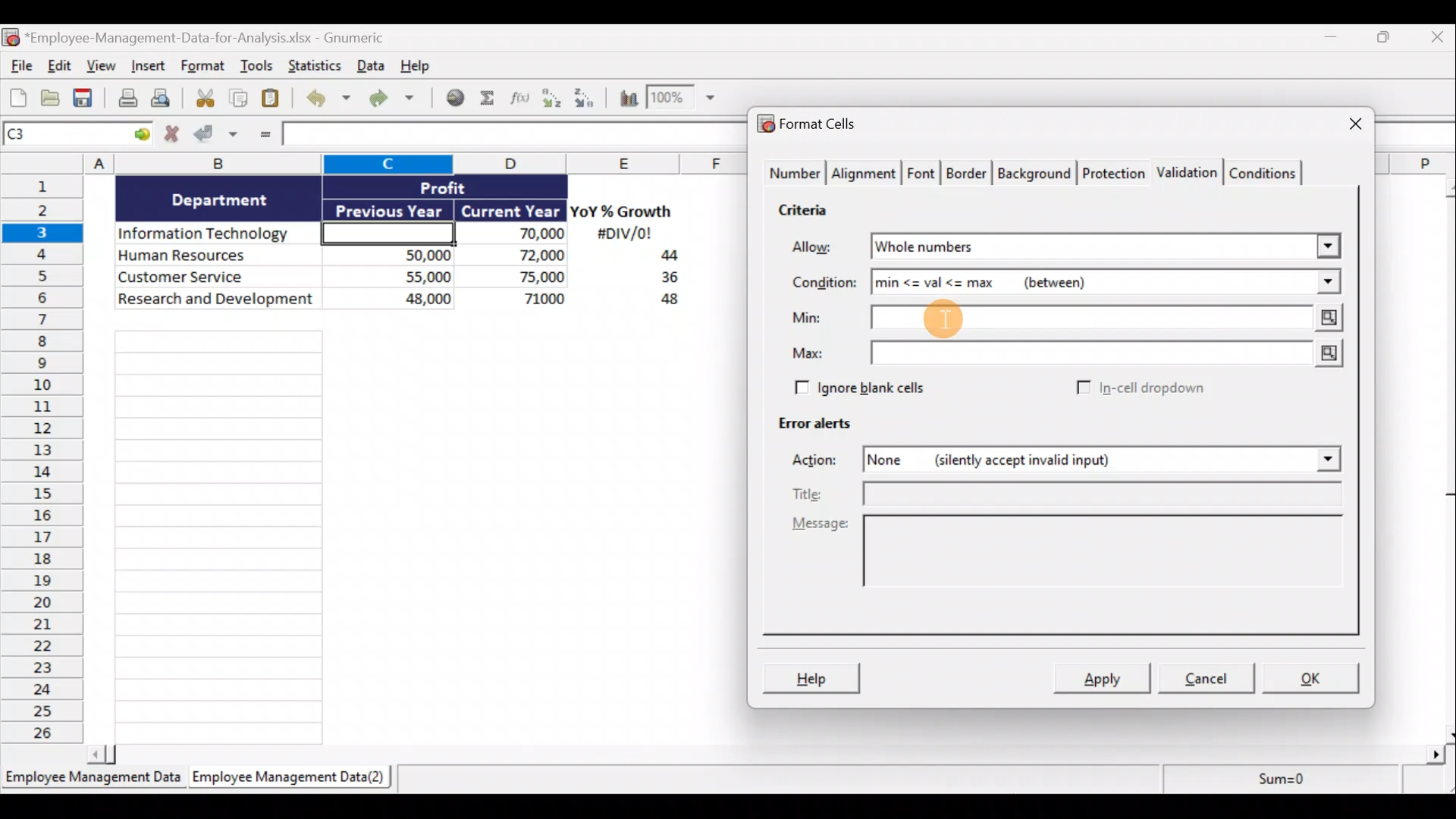  Describe the element at coordinates (103, 67) in the screenshot. I see `View` at that location.